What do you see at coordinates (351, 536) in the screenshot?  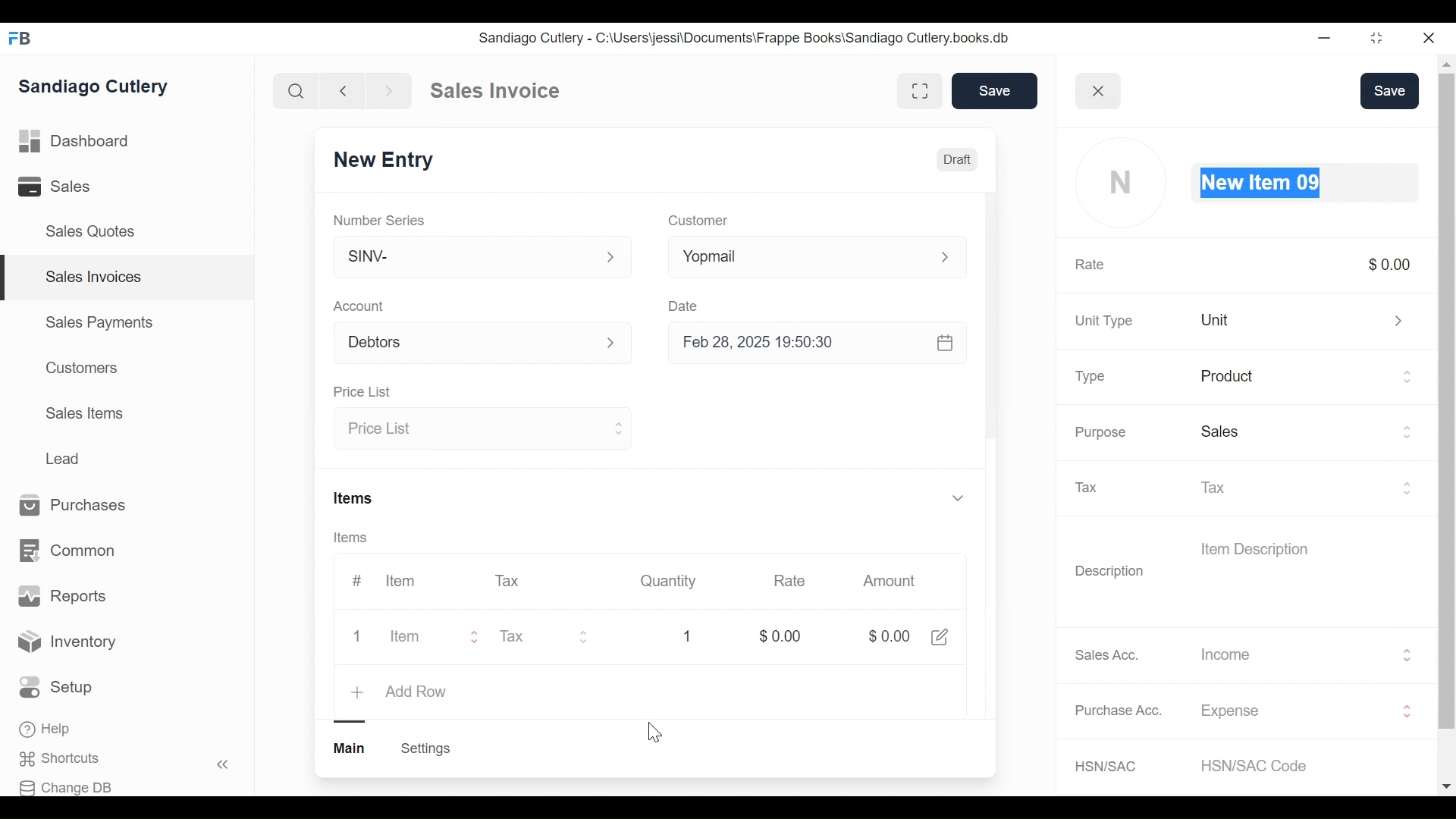 I see `Items` at bounding box center [351, 536].